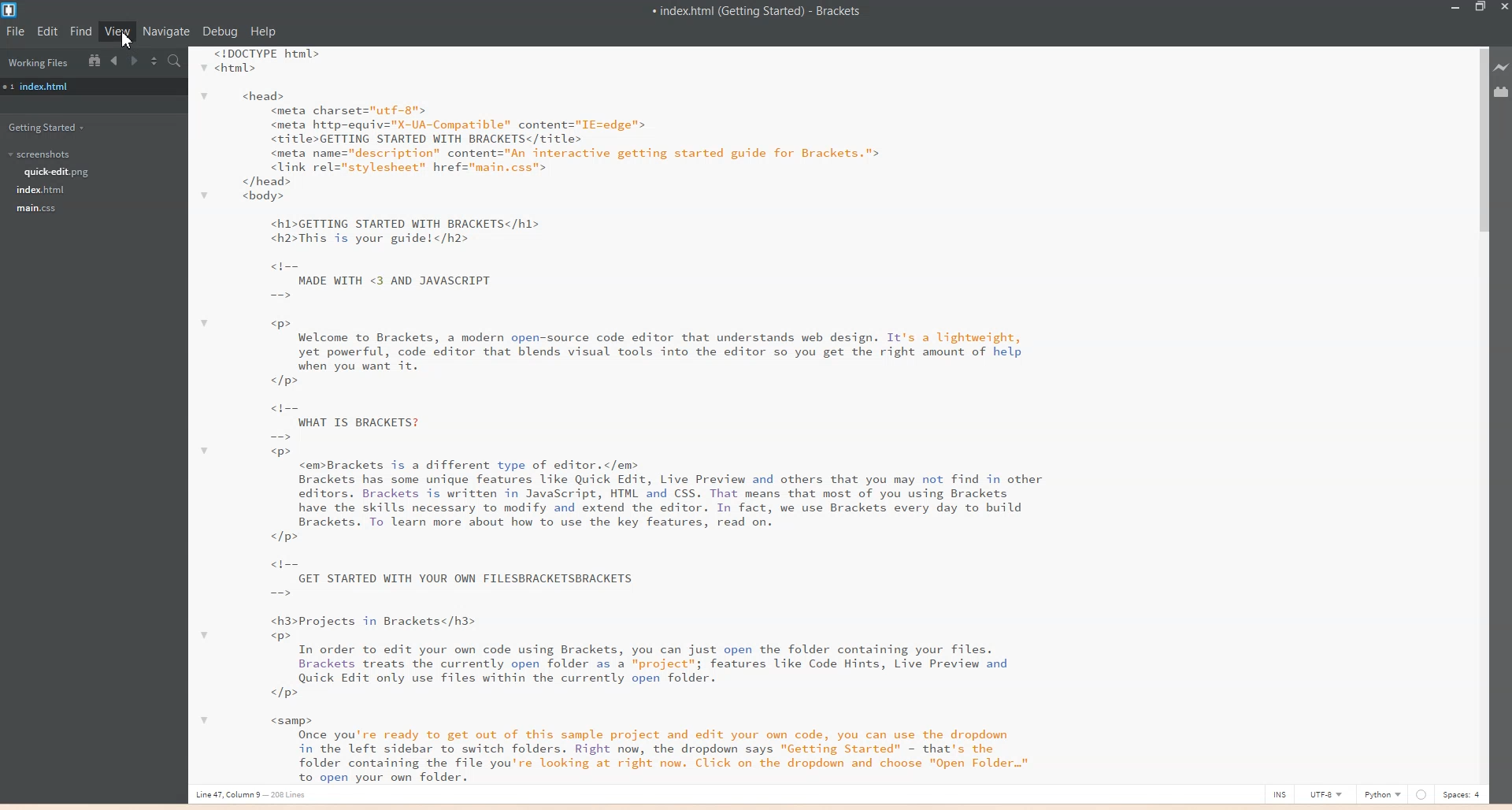  What do you see at coordinates (136, 61) in the screenshot?
I see `Navigate Forward` at bounding box center [136, 61].